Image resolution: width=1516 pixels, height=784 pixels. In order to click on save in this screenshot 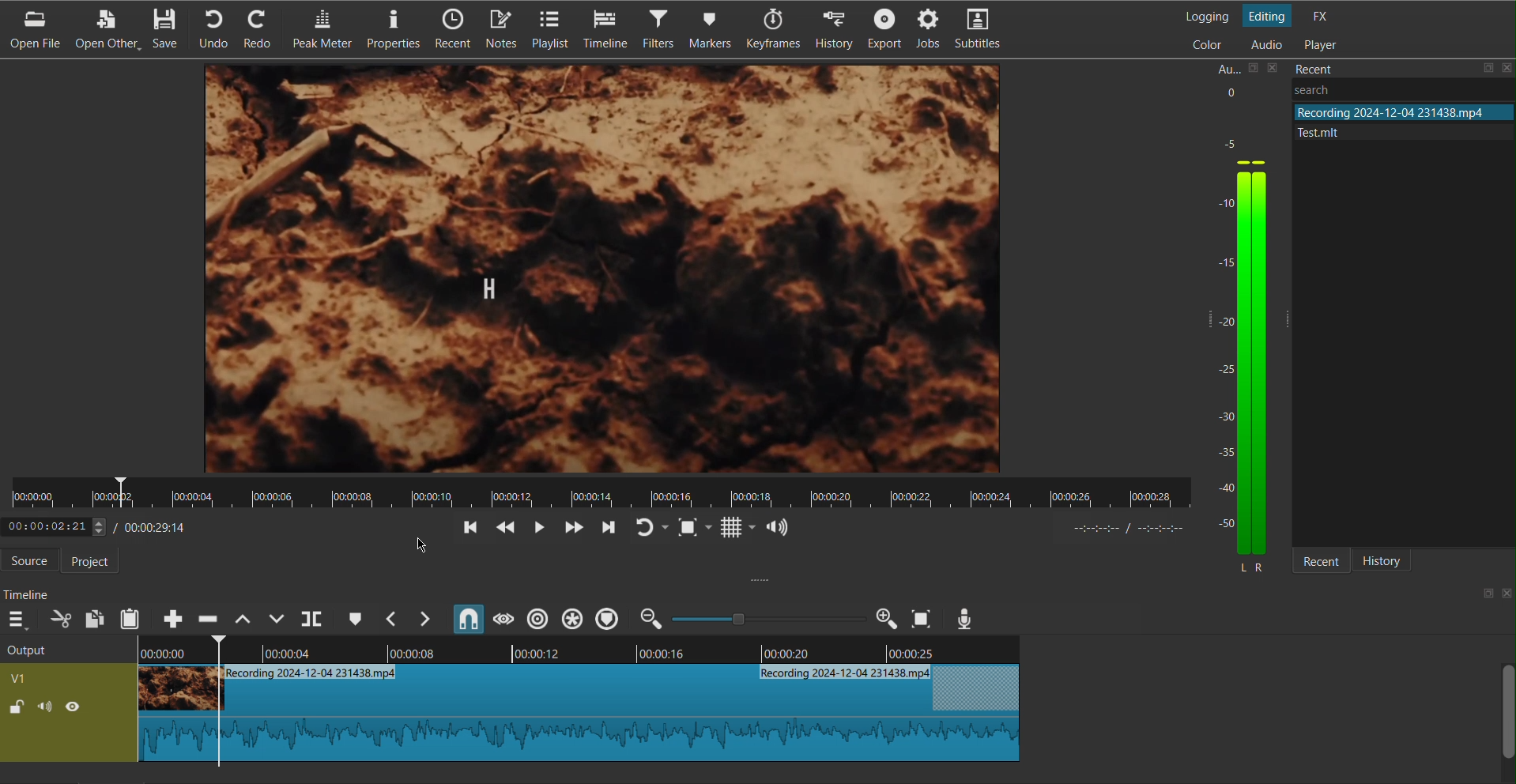, I will do `click(1487, 68)`.